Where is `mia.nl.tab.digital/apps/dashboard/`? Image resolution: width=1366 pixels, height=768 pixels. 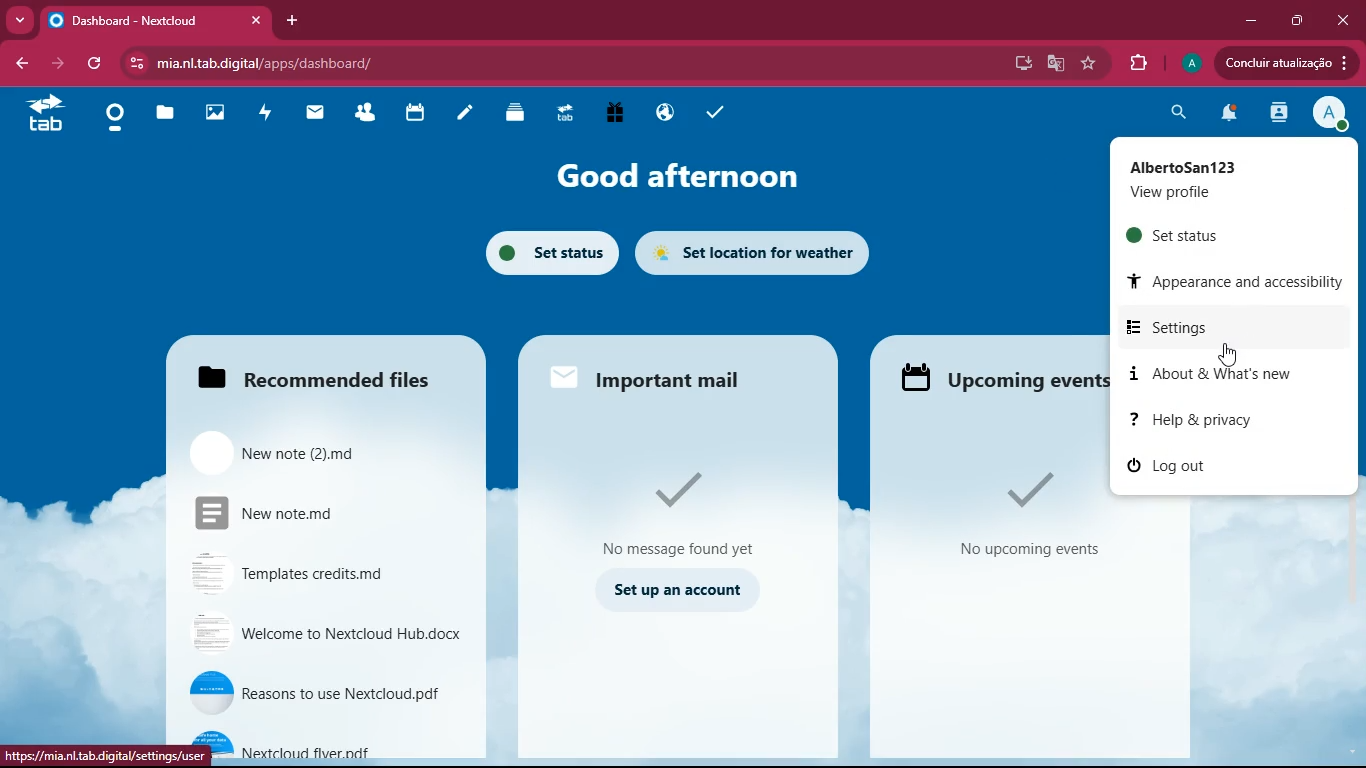 mia.nl.tab.digital/apps/dashboard/ is located at coordinates (271, 62).